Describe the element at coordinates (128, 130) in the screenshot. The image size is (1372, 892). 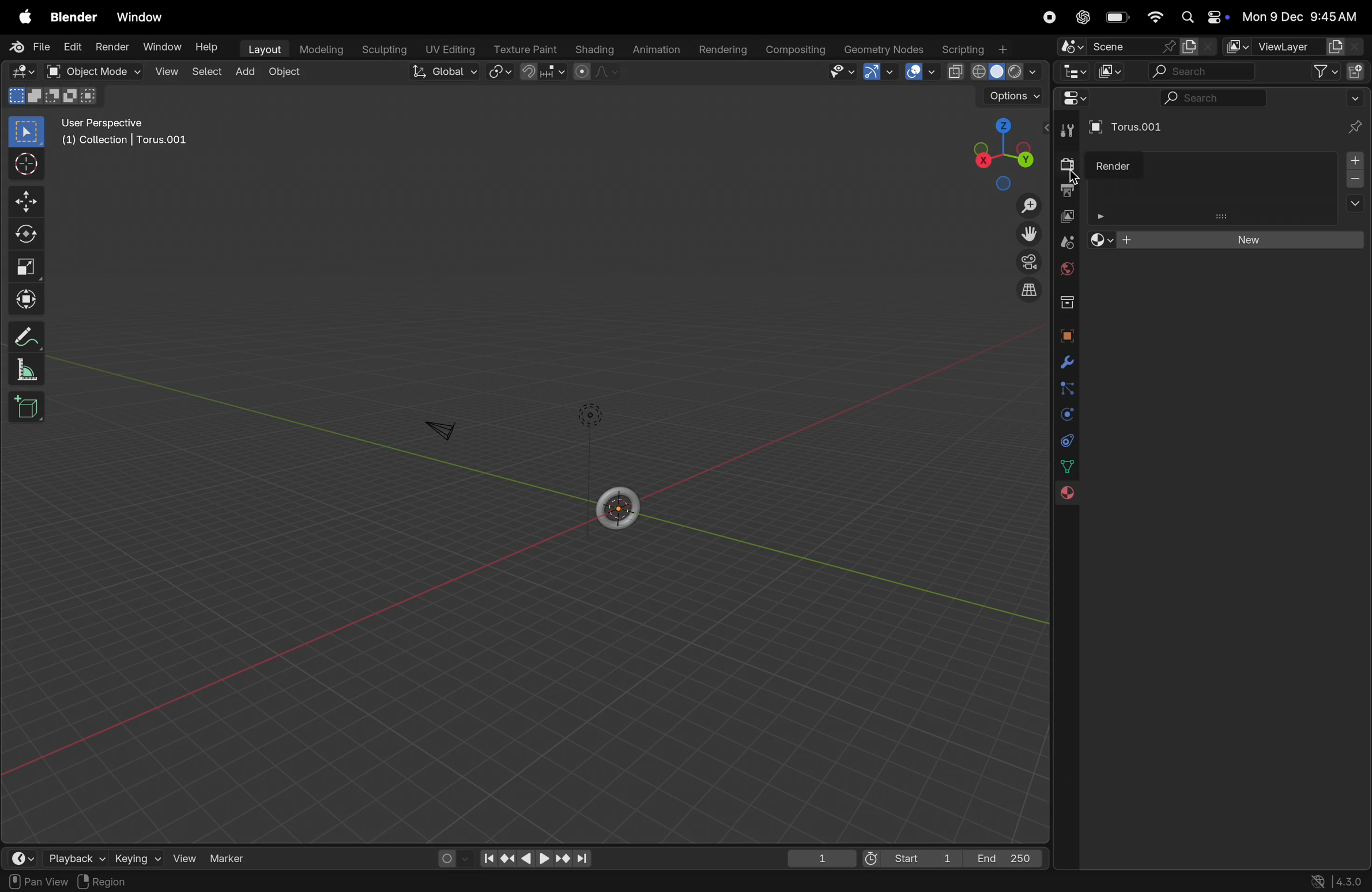
I see `user perspective` at that location.